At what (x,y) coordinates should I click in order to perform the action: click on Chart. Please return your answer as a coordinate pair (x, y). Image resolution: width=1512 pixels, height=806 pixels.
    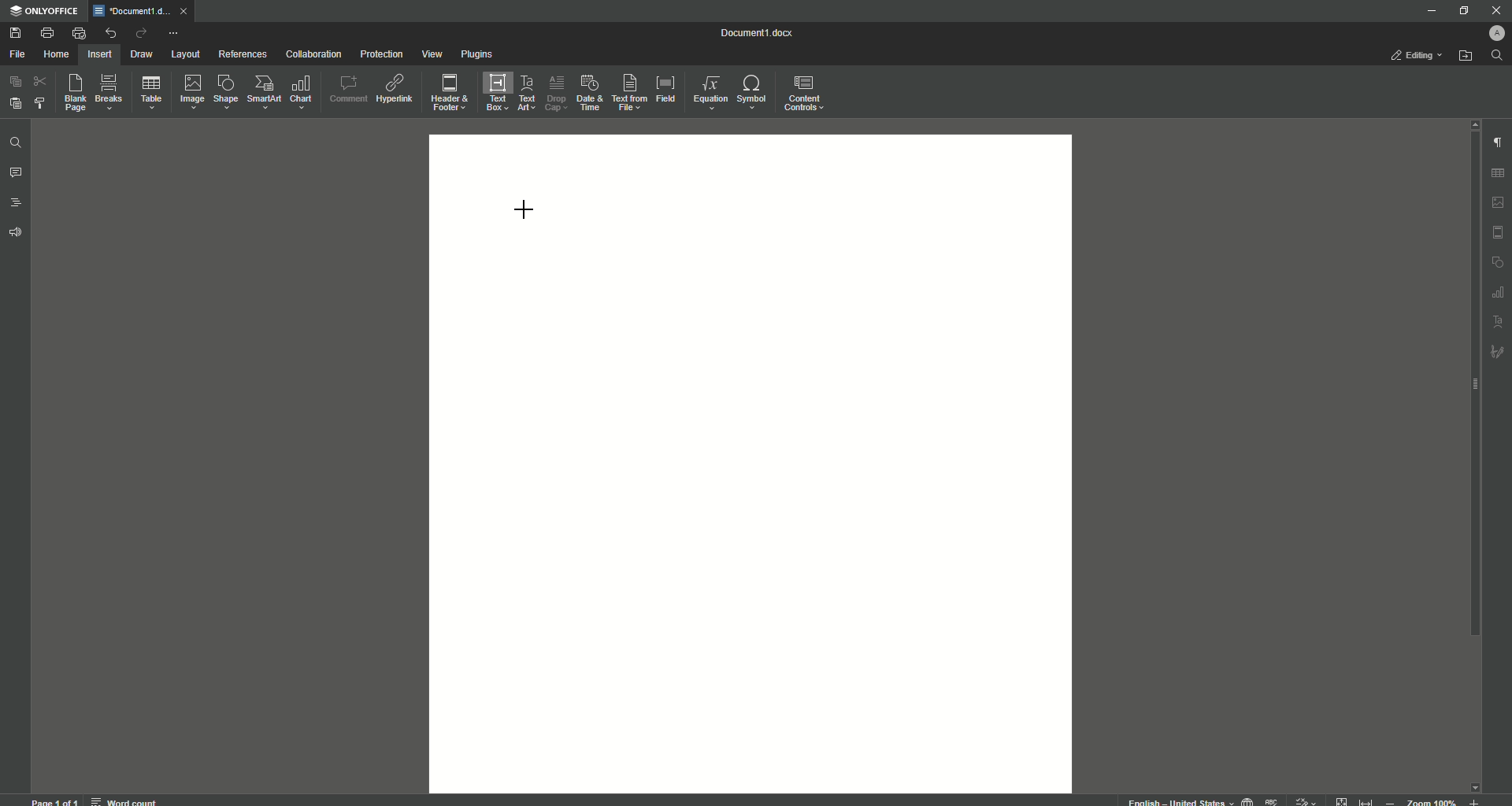
    Looking at the image, I should click on (302, 92).